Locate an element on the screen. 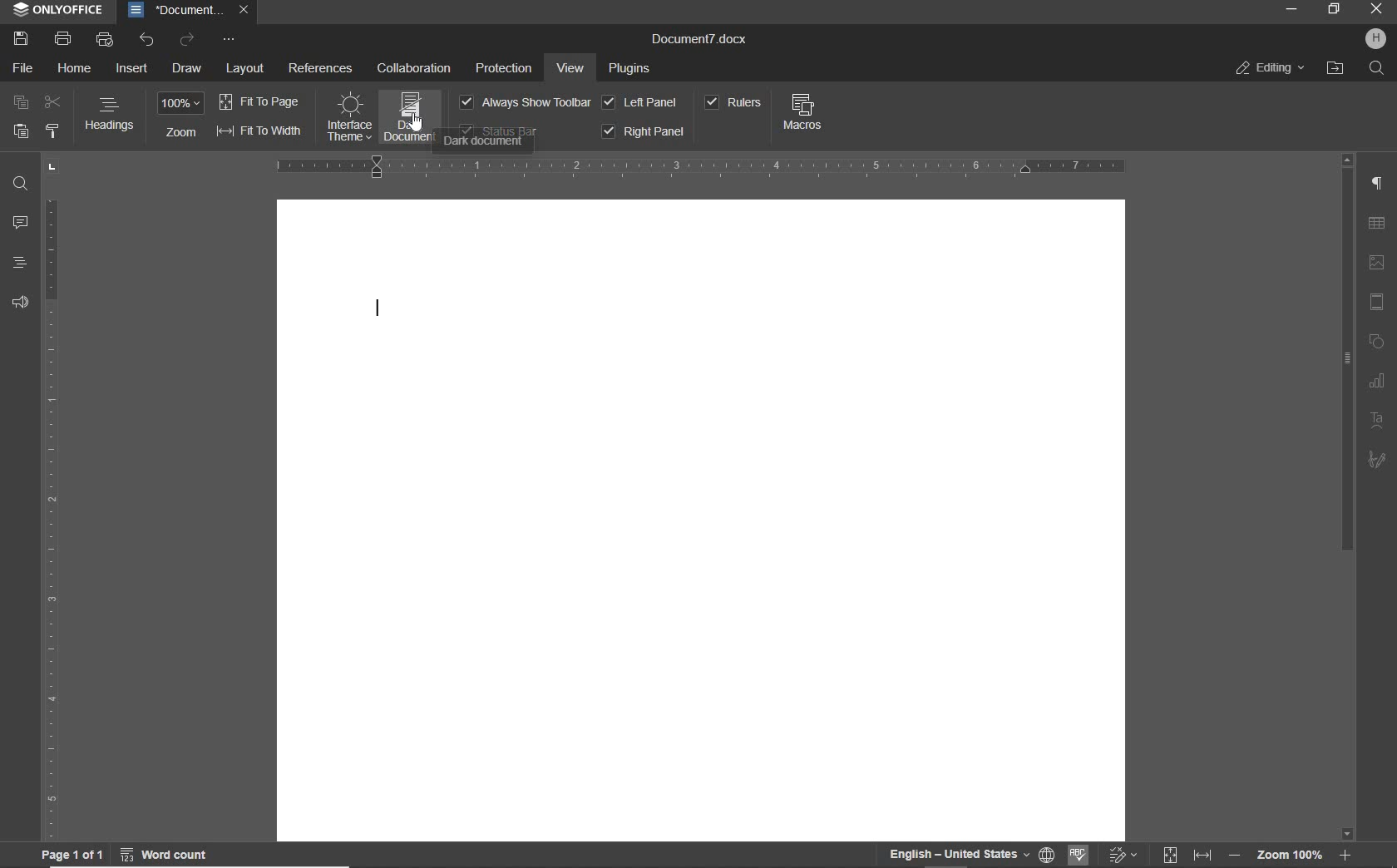 This screenshot has height=868, width=1397. QUICK PRINT is located at coordinates (103, 38).